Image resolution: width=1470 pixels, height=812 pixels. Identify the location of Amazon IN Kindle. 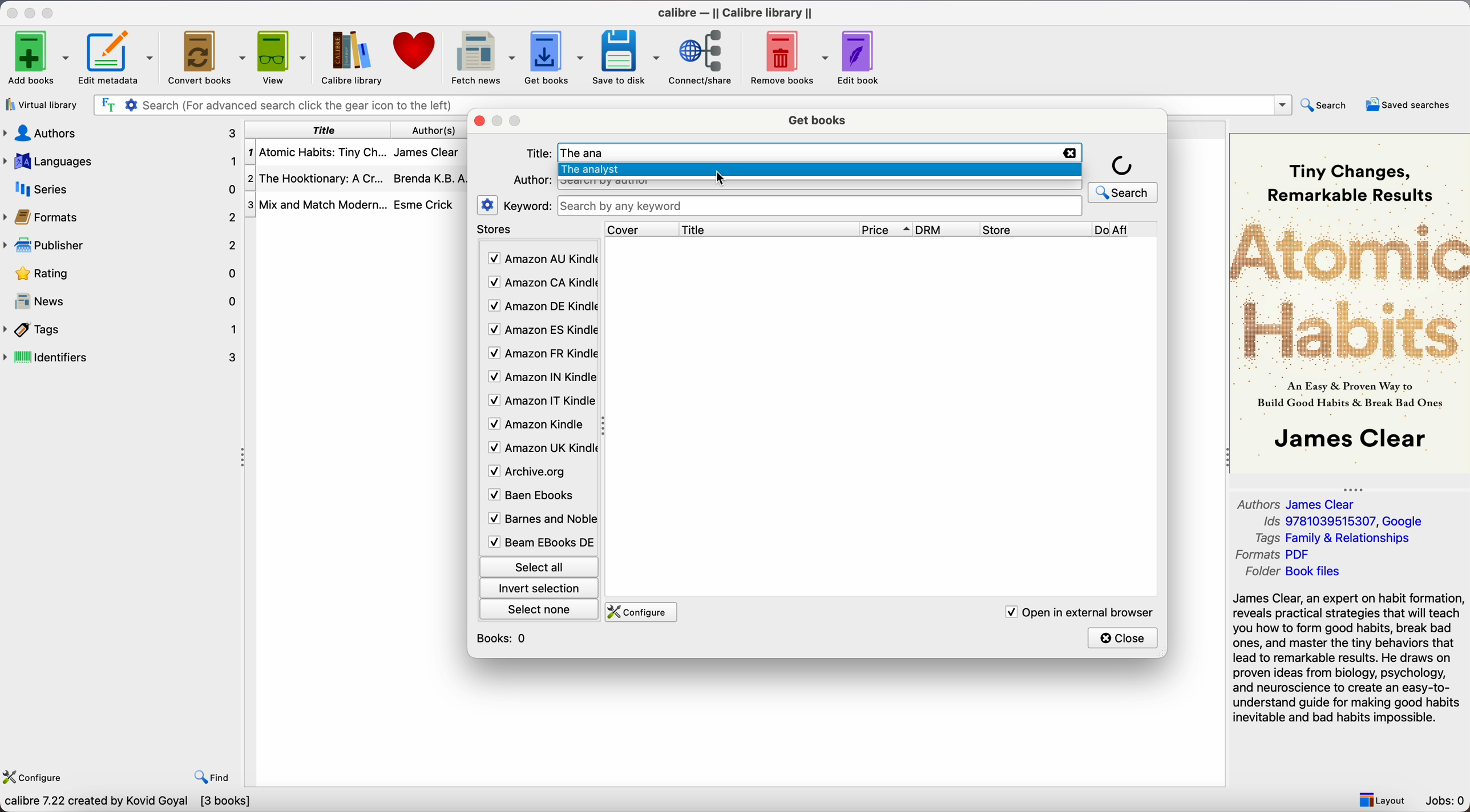
(540, 379).